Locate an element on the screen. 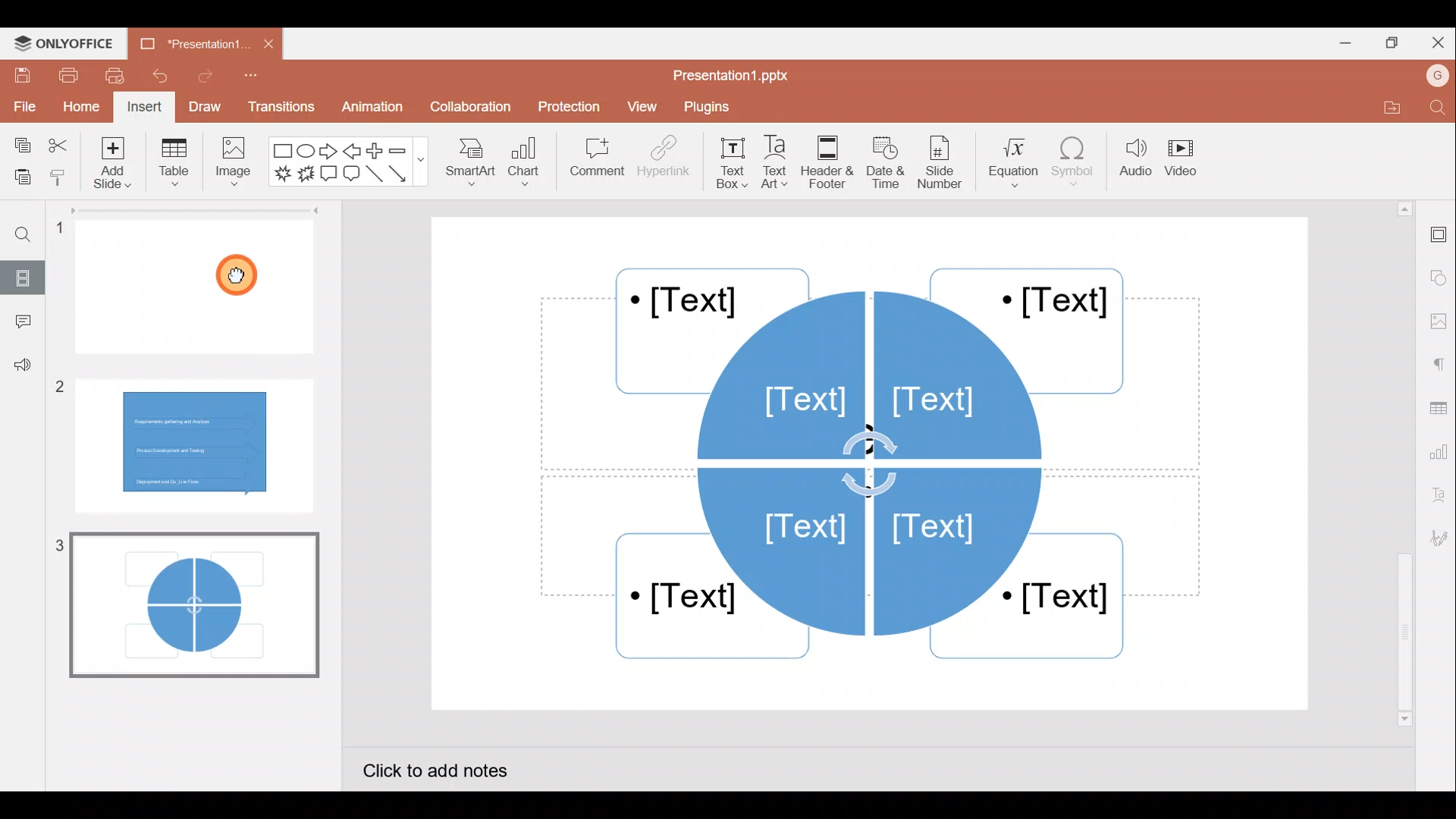 Image resolution: width=1456 pixels, height=819 pixels. Rectangular callout is located at coordinates (328, 173).